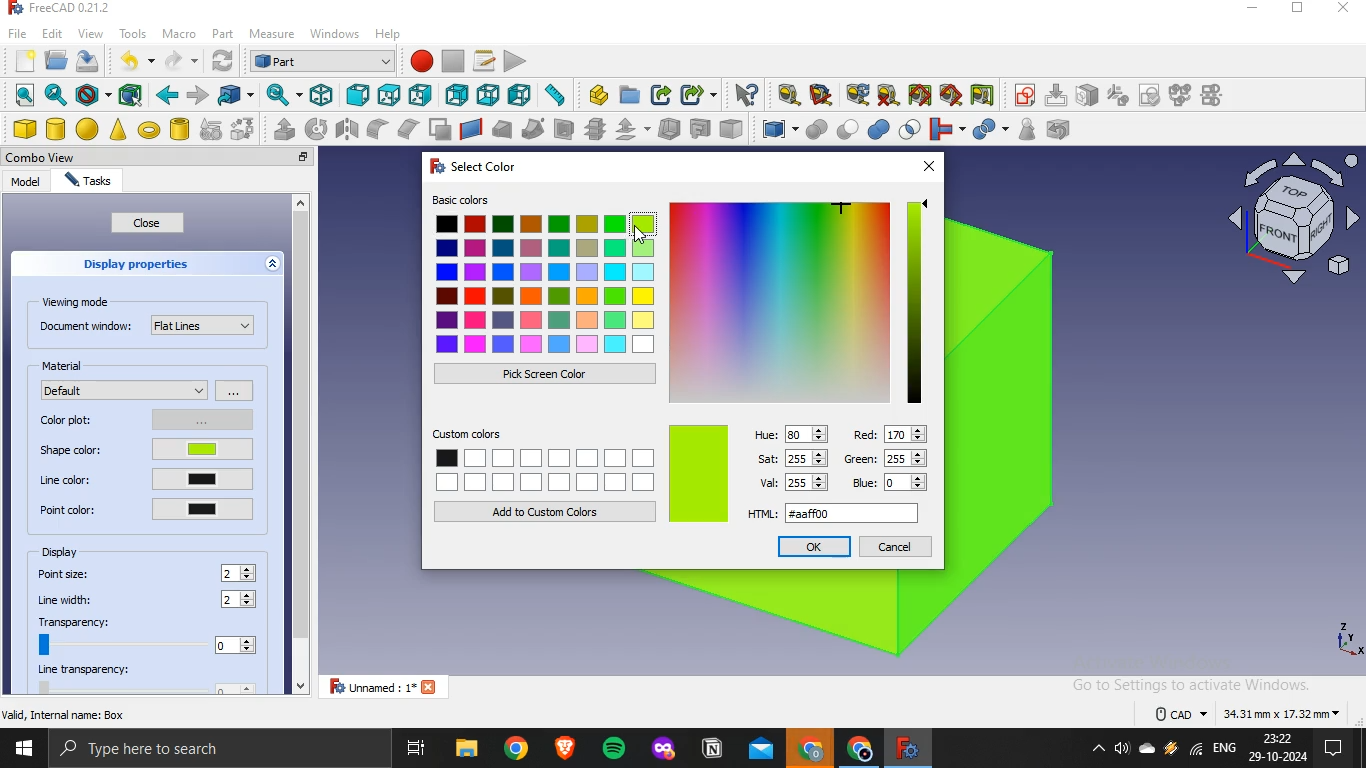 This screenshot has width=1366, height=768. I want to click on stop macro recording, so click(453, 61).